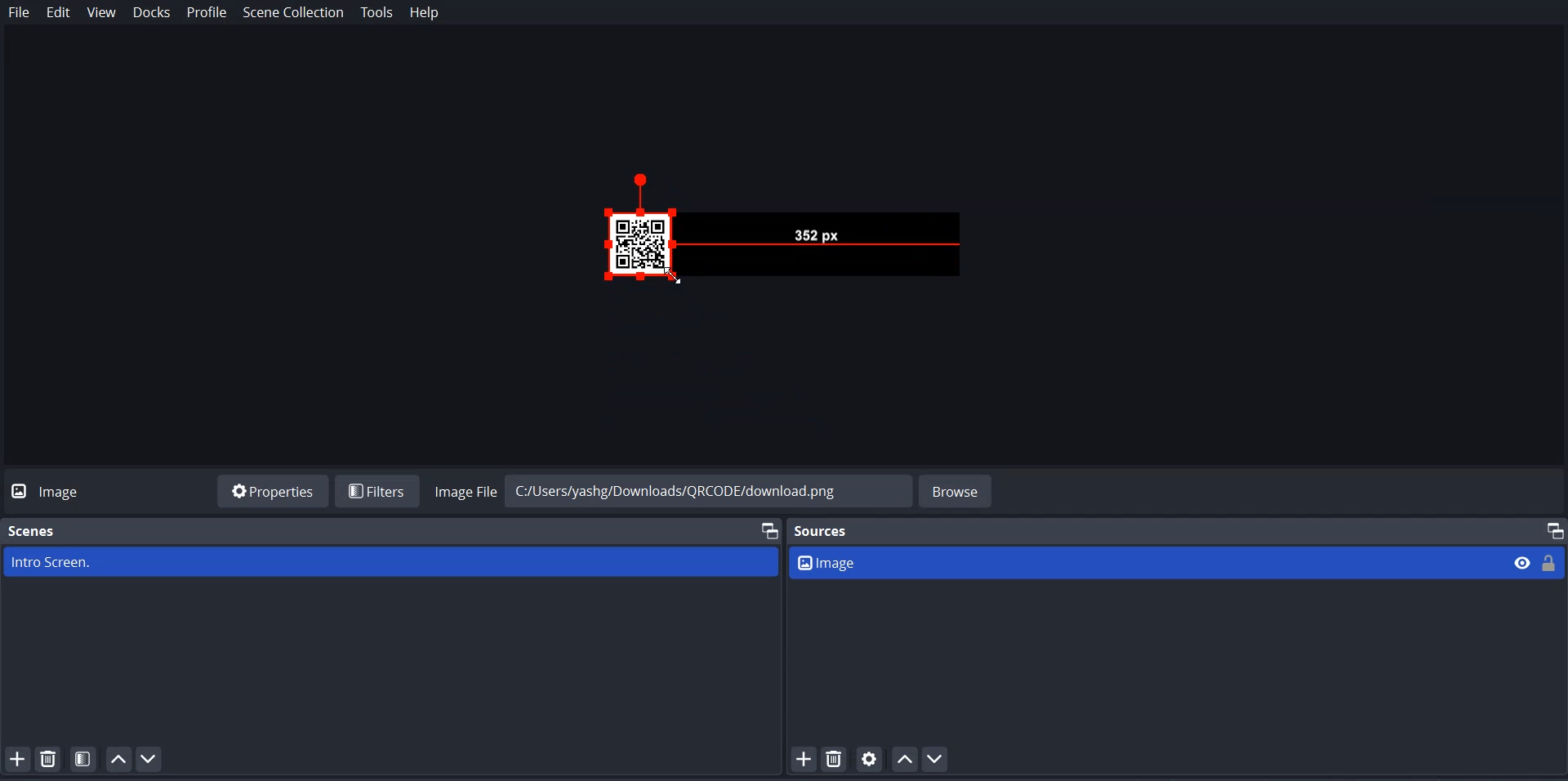 This screenshot has width=1568, height=781. What do you see at coordinates (764, 232) in the screenshot?
I see `Preview Drag Handle` at bounding box center [764, 232].